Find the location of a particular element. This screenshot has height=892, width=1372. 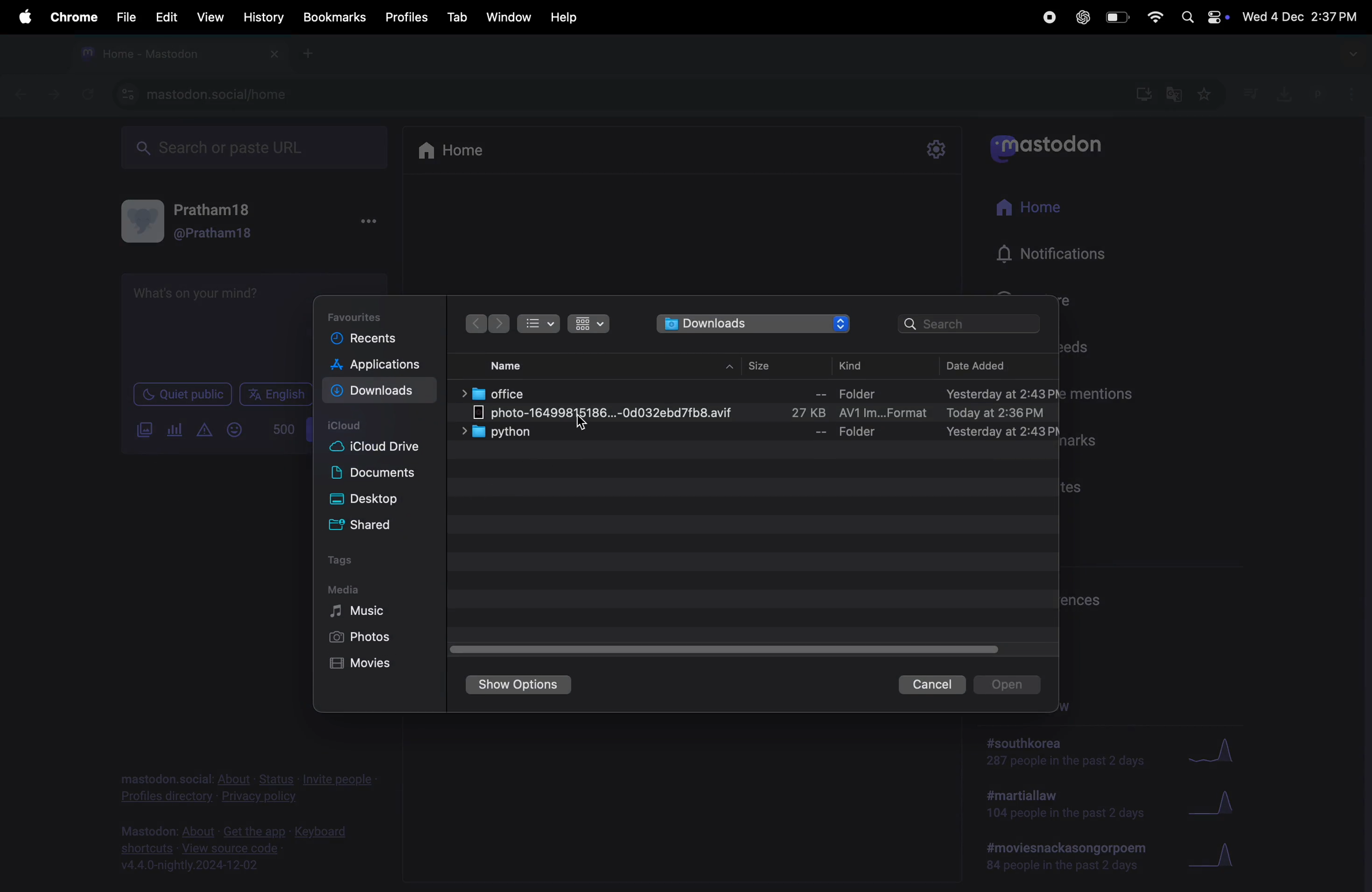

photos is located at coordinates (362, 637).